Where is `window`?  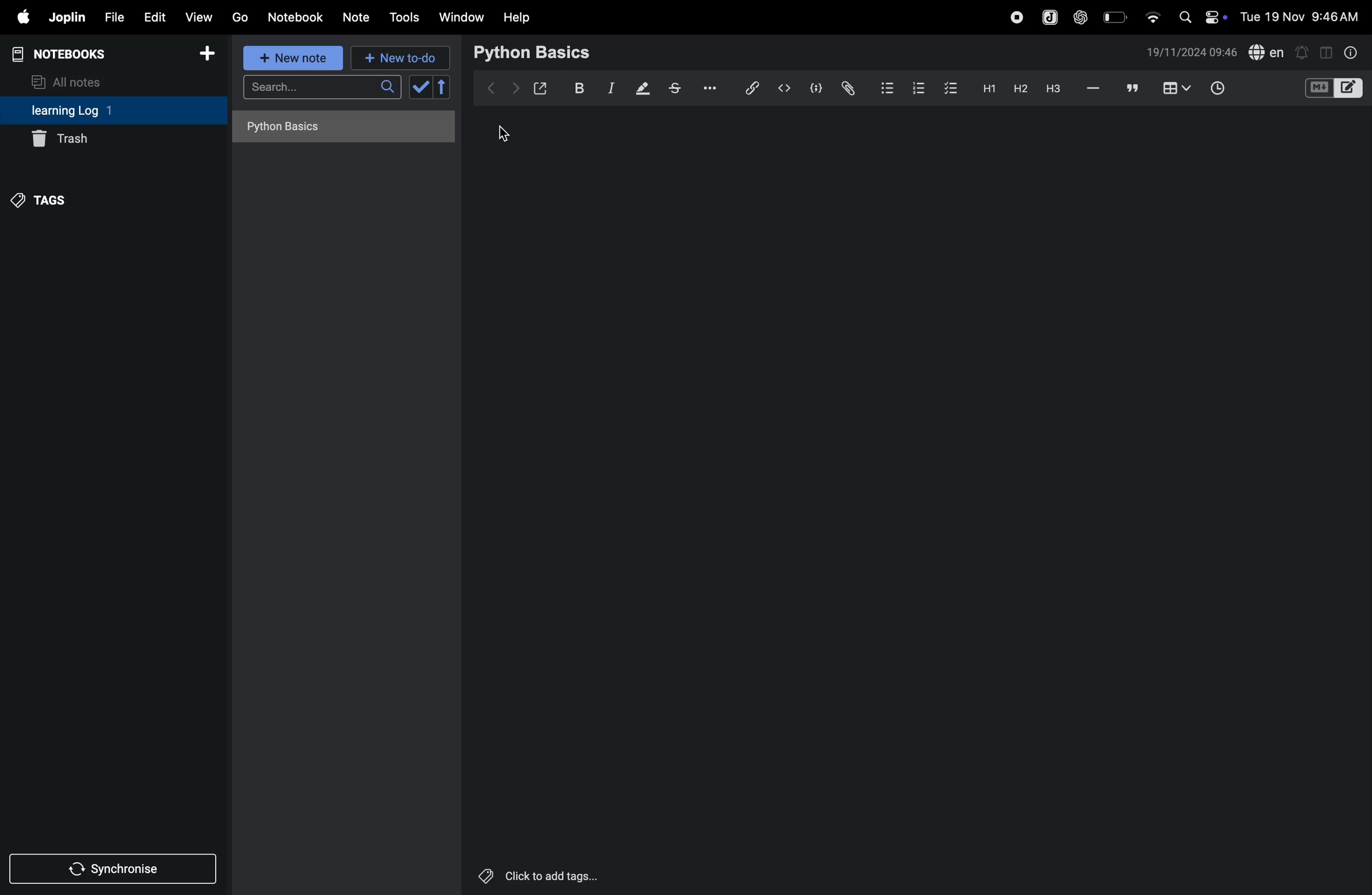 window is located at coordinates (462, 17).